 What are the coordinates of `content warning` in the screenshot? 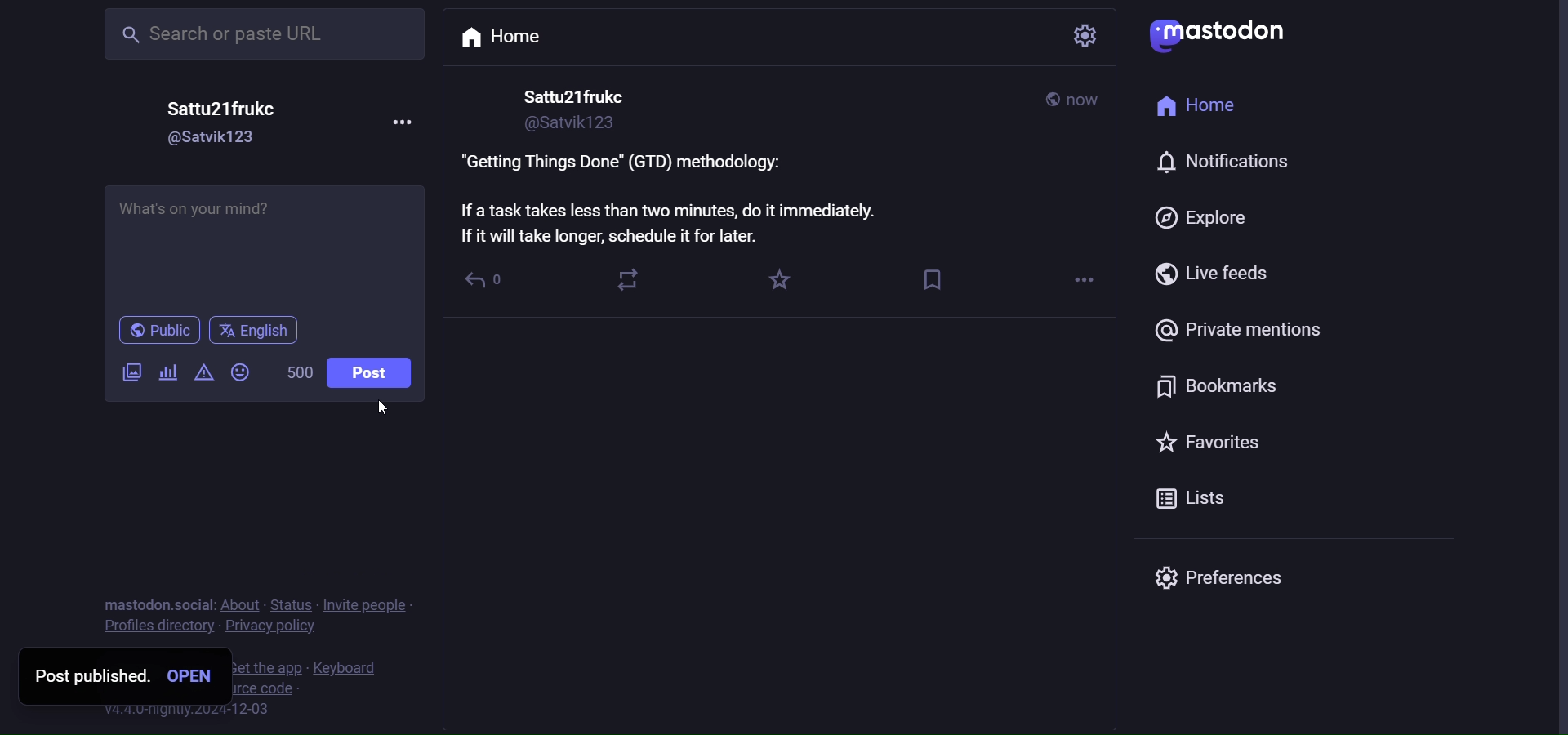 It's located at (204, 373).